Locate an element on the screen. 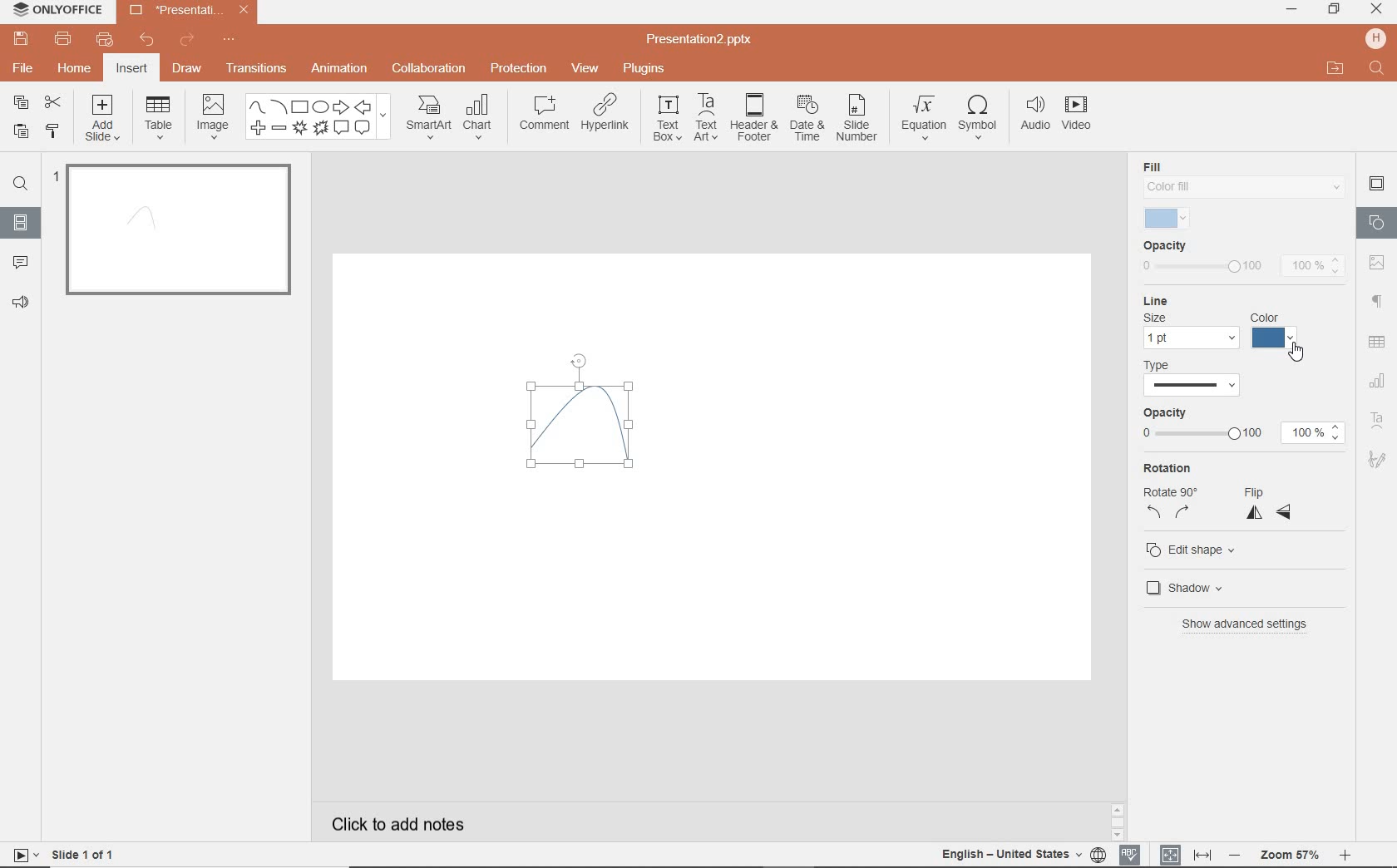  type is located at coordinates (1197, 376).